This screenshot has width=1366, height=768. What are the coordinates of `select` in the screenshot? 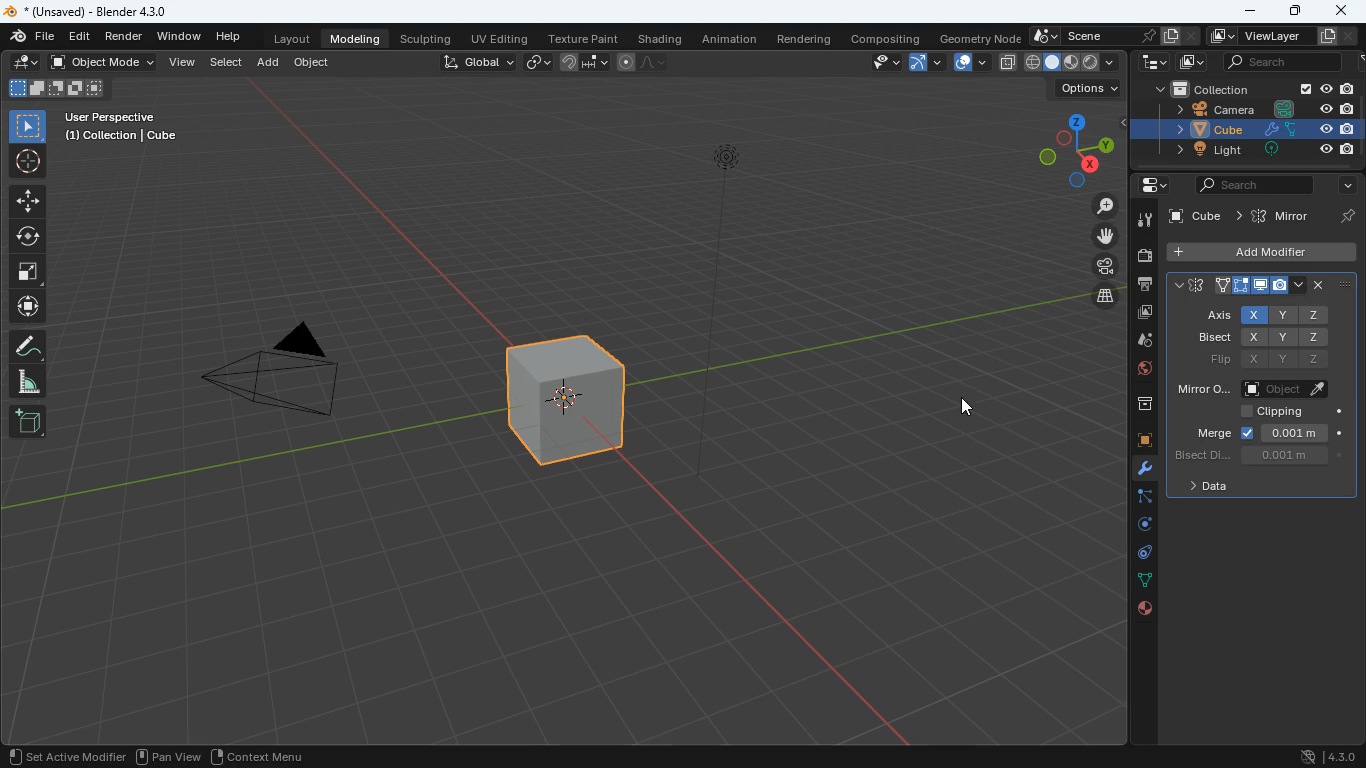 It's located at (227, 62).